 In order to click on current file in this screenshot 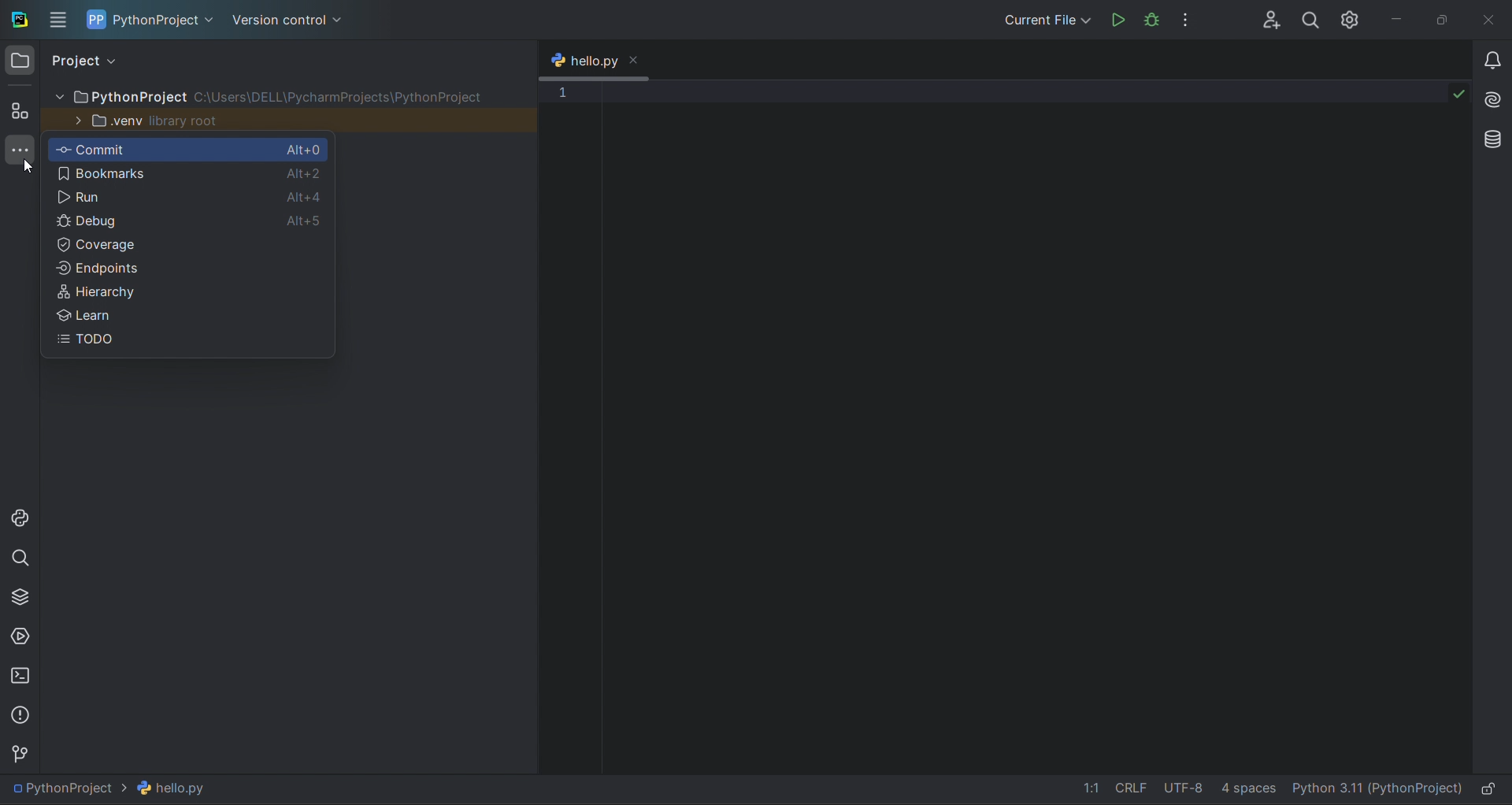, I will do `click(1046, 20)`.